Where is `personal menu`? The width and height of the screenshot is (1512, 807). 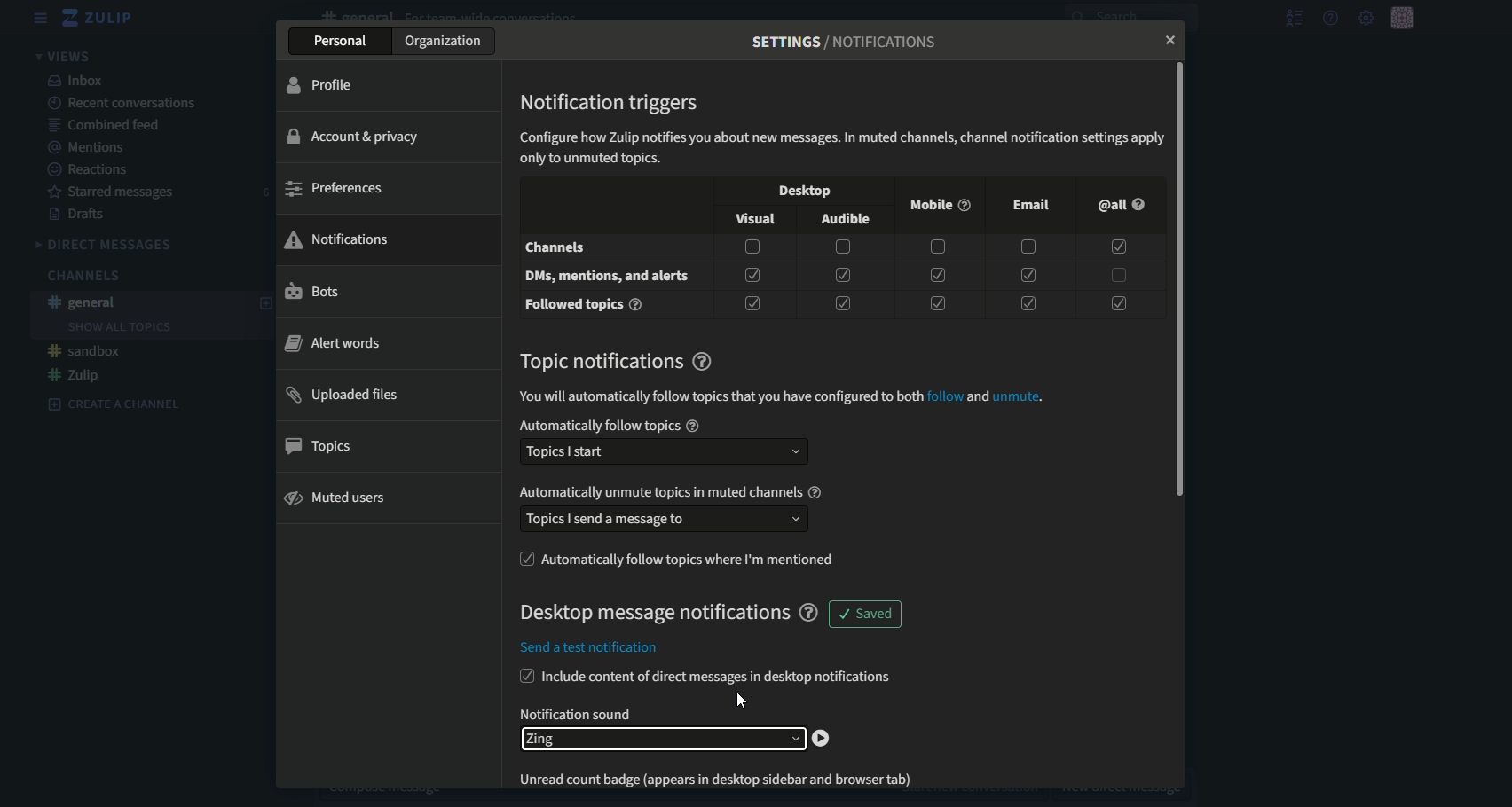 personal menu is located at coordinates (1404, 17).